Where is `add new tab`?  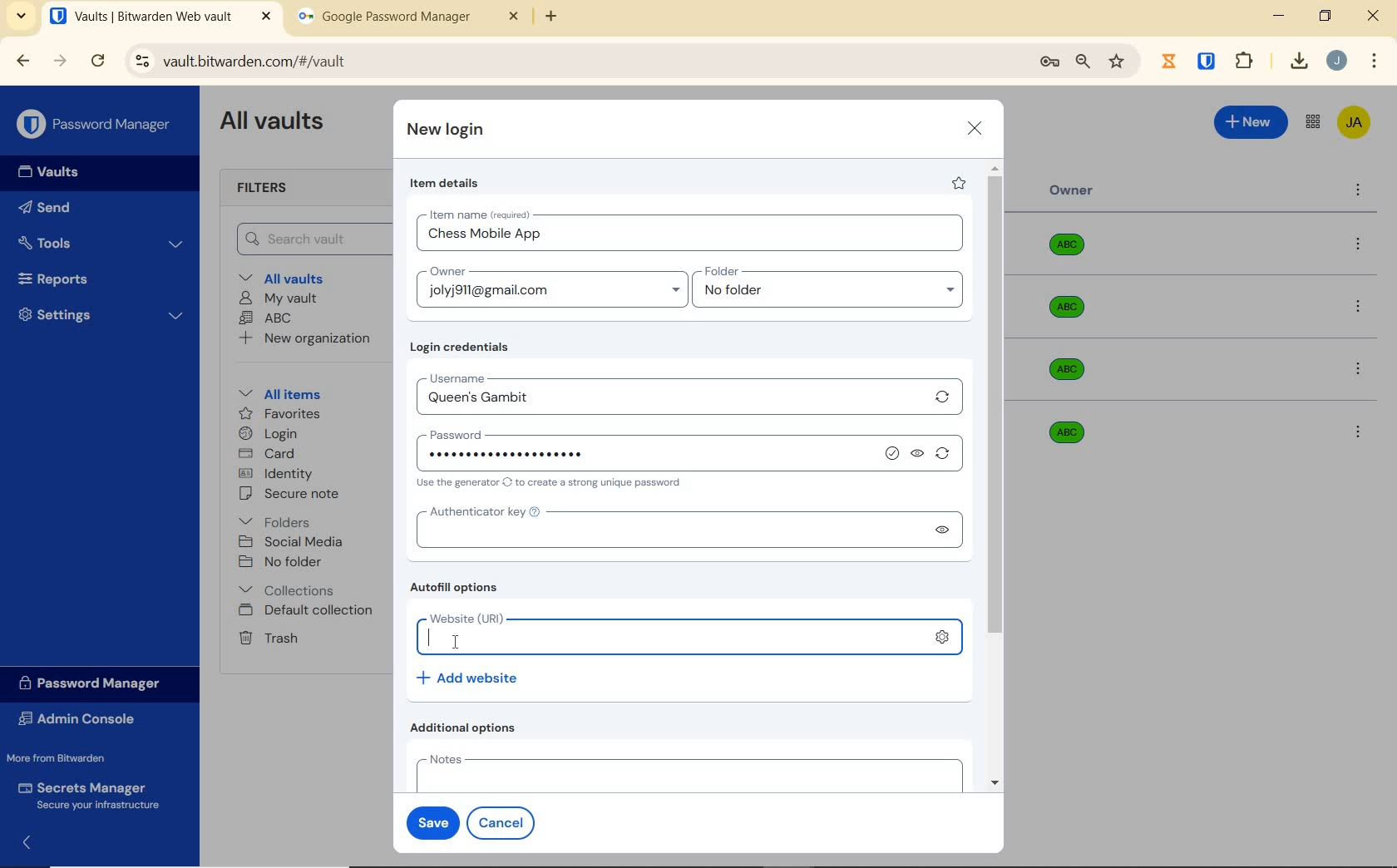
add new tab is located at coordinates (564, 21).